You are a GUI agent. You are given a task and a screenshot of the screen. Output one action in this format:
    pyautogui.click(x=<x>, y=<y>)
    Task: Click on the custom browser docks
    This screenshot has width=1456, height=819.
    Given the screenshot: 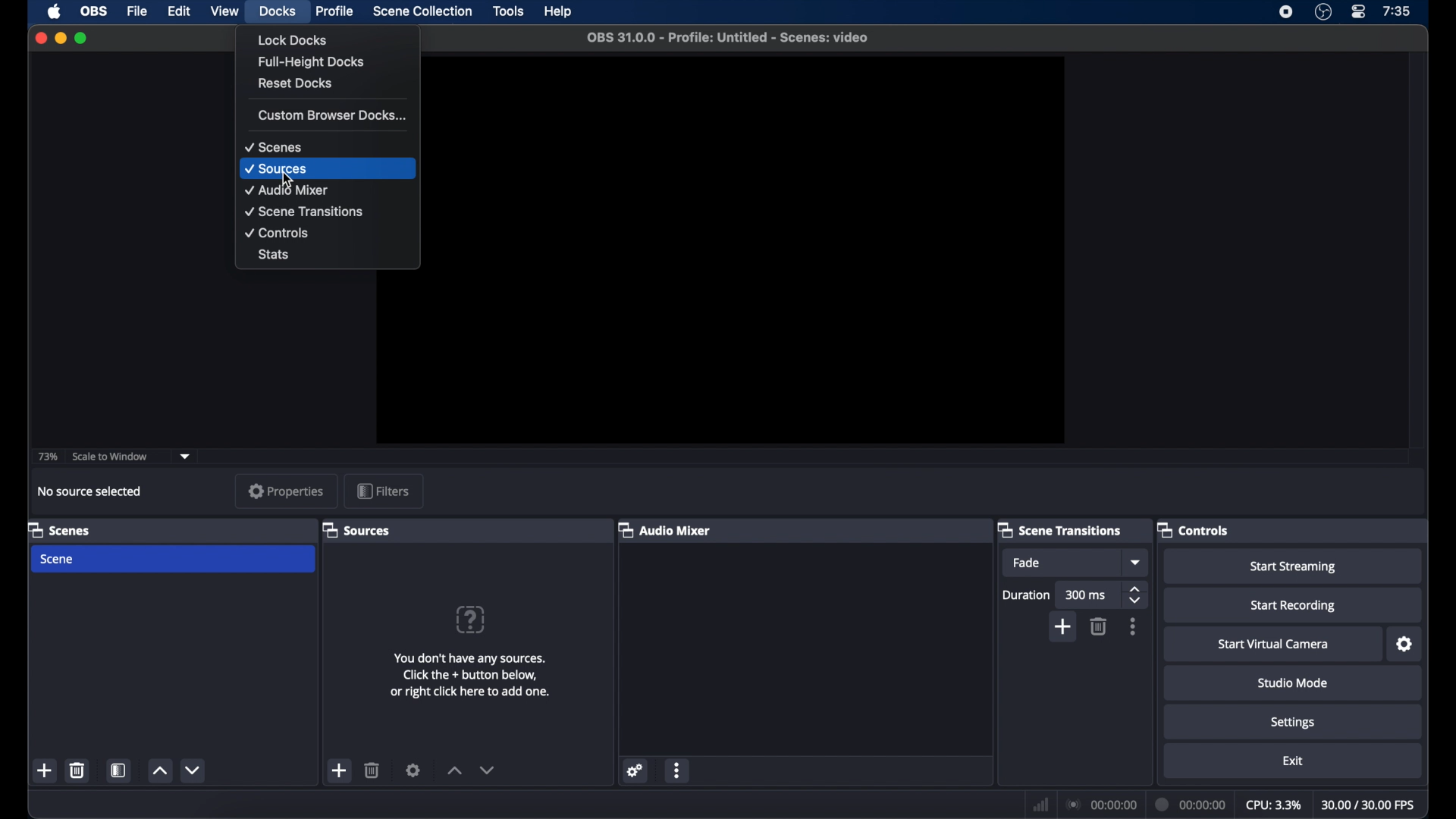 What is the action you would take?
    pyautogui.click(x=333, y=115)
    